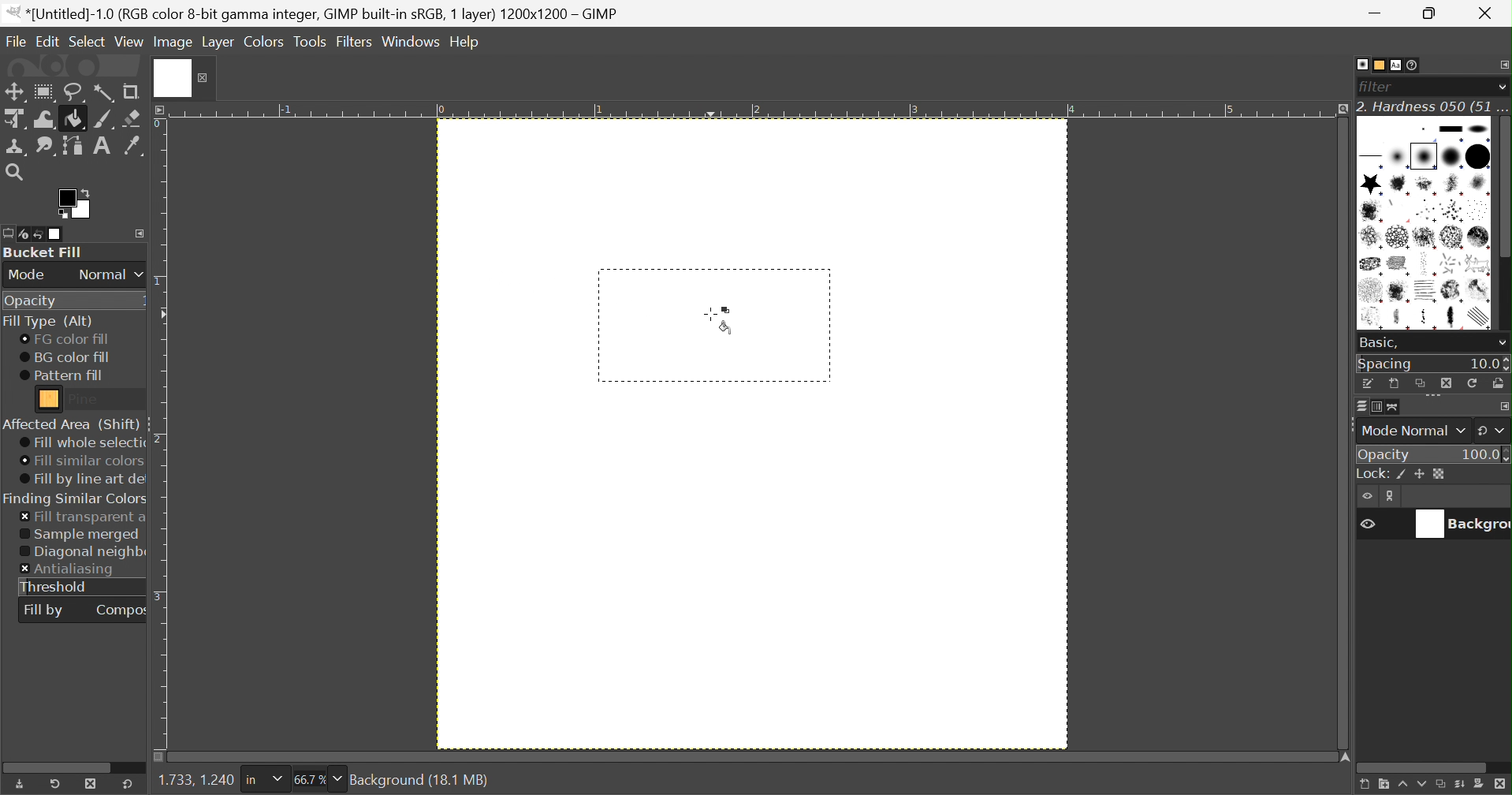  What do you see at coordinates (1451, 129) in the screenshot?
I see `` at bounding box center [1451, 129].